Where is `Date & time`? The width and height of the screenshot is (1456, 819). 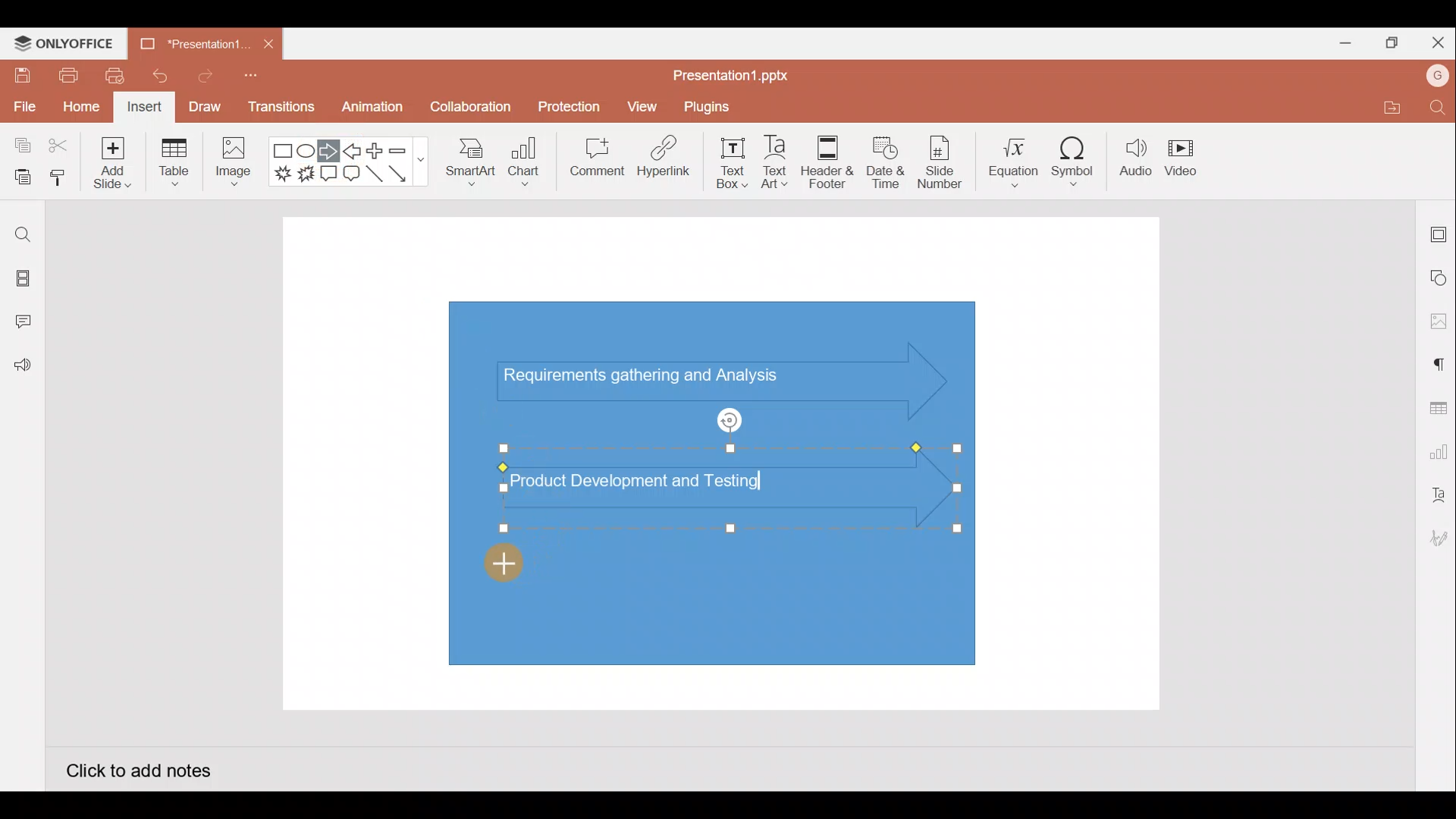 Date & time is located at coordinates (886, 162).